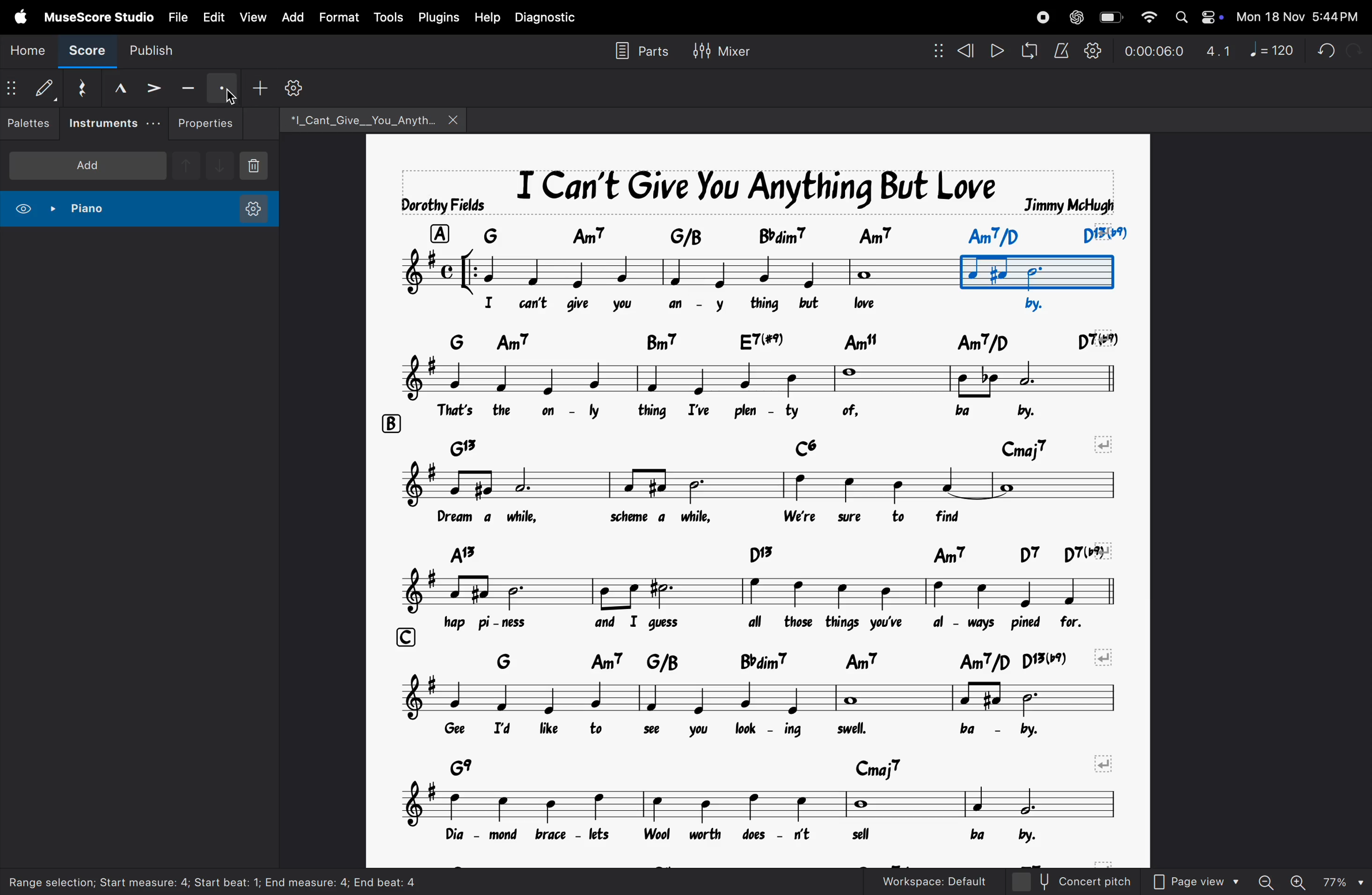 Image resolution: width=1372 pixels, height=895 pixels. Describe the element at coordinates (1028, 50) in the screenshot. I see `loopback` at that location.